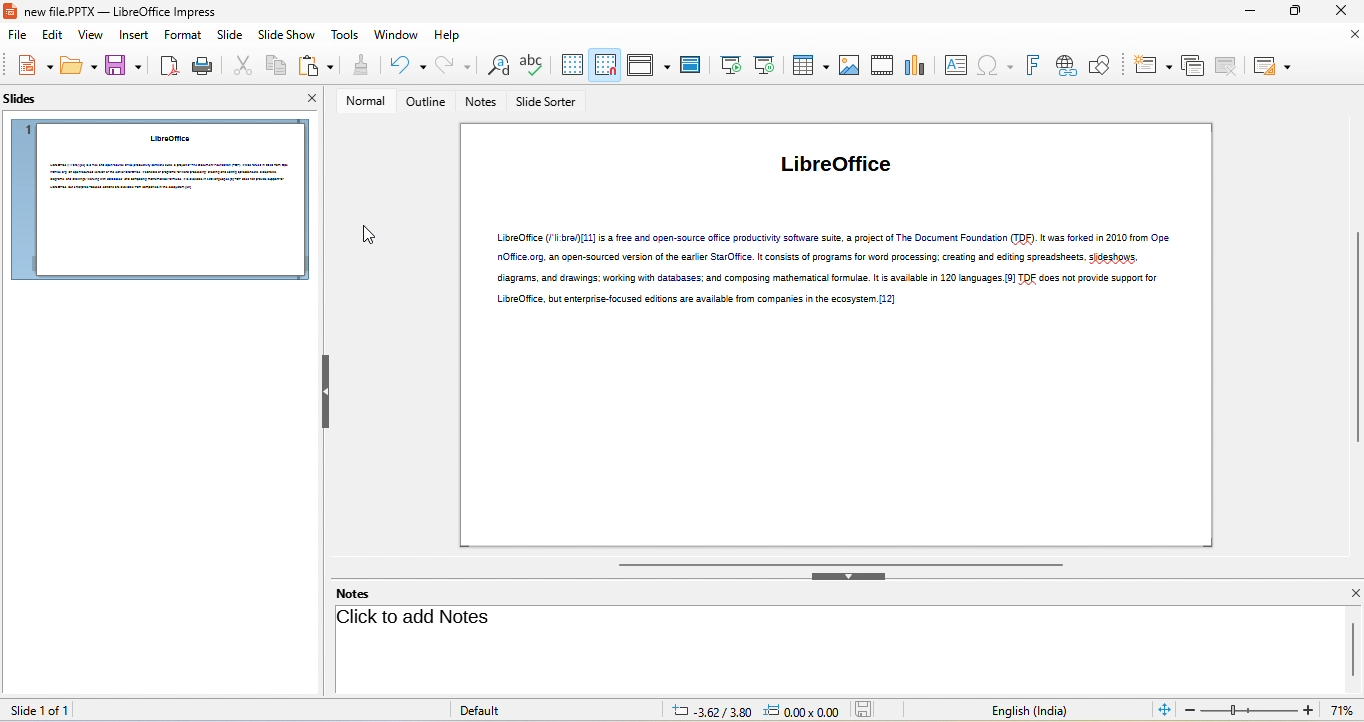  I want to click on font work text, so click(1031, 65).